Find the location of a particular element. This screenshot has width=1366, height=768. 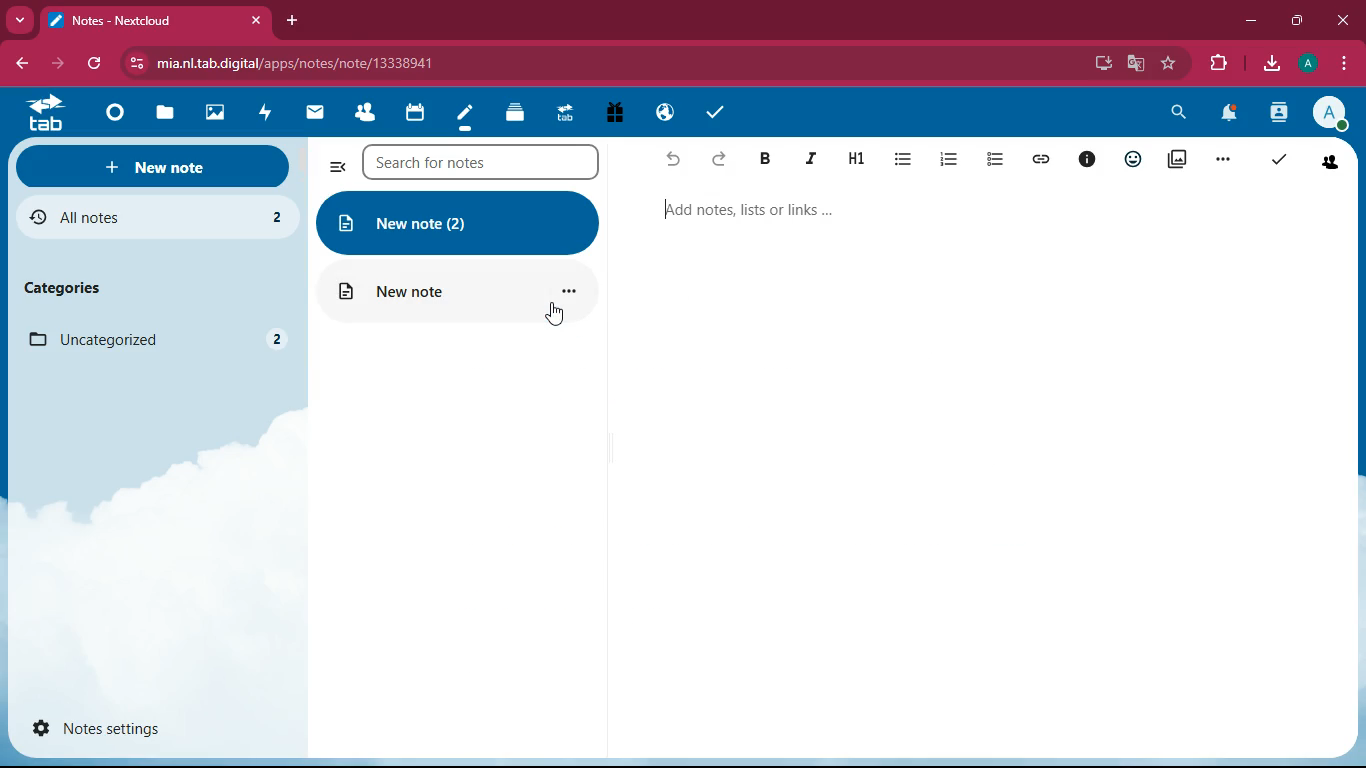

new note is located at coordinates (458, 224).